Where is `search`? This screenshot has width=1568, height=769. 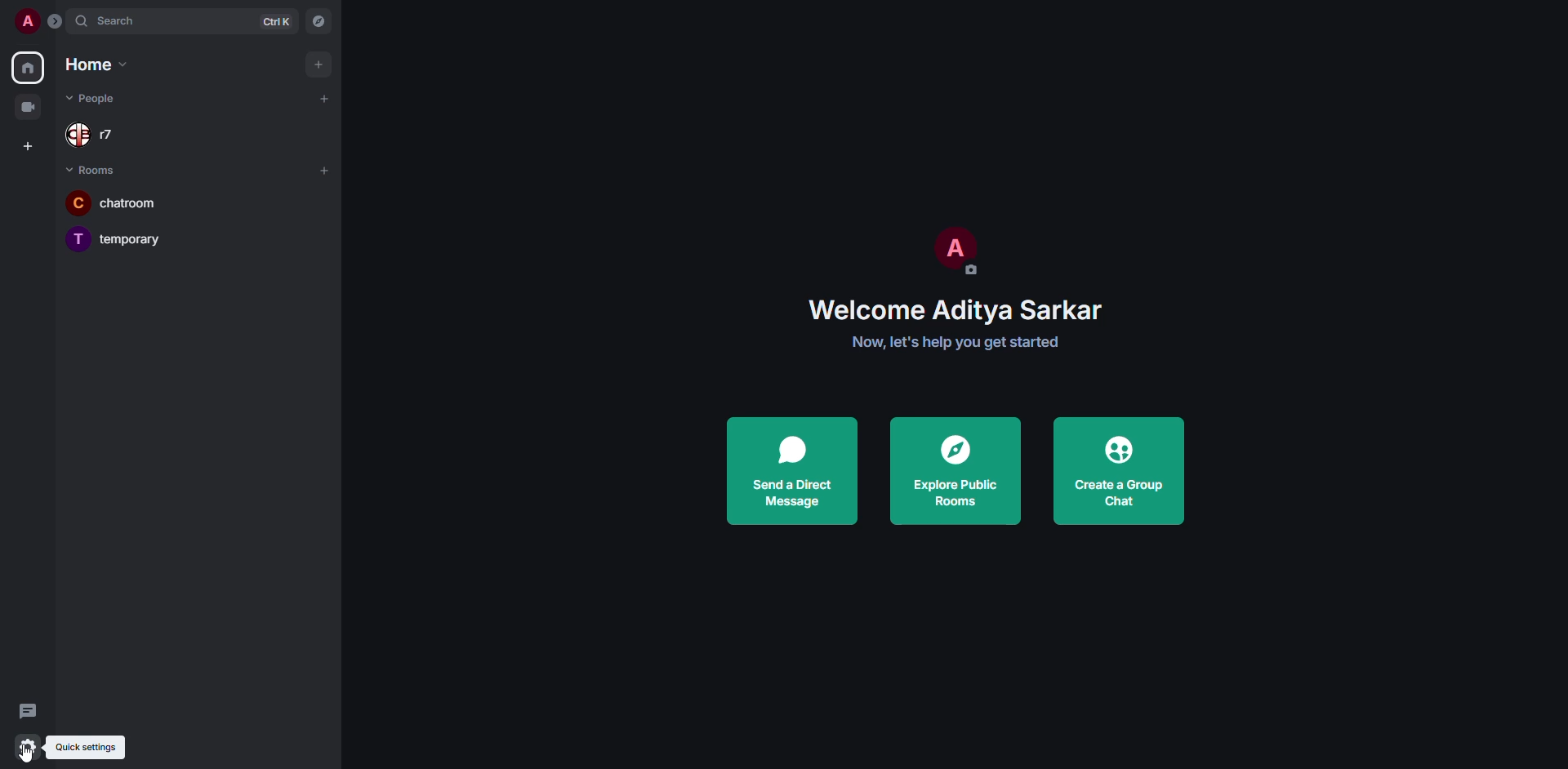 search is located at coordinates (124, 21).